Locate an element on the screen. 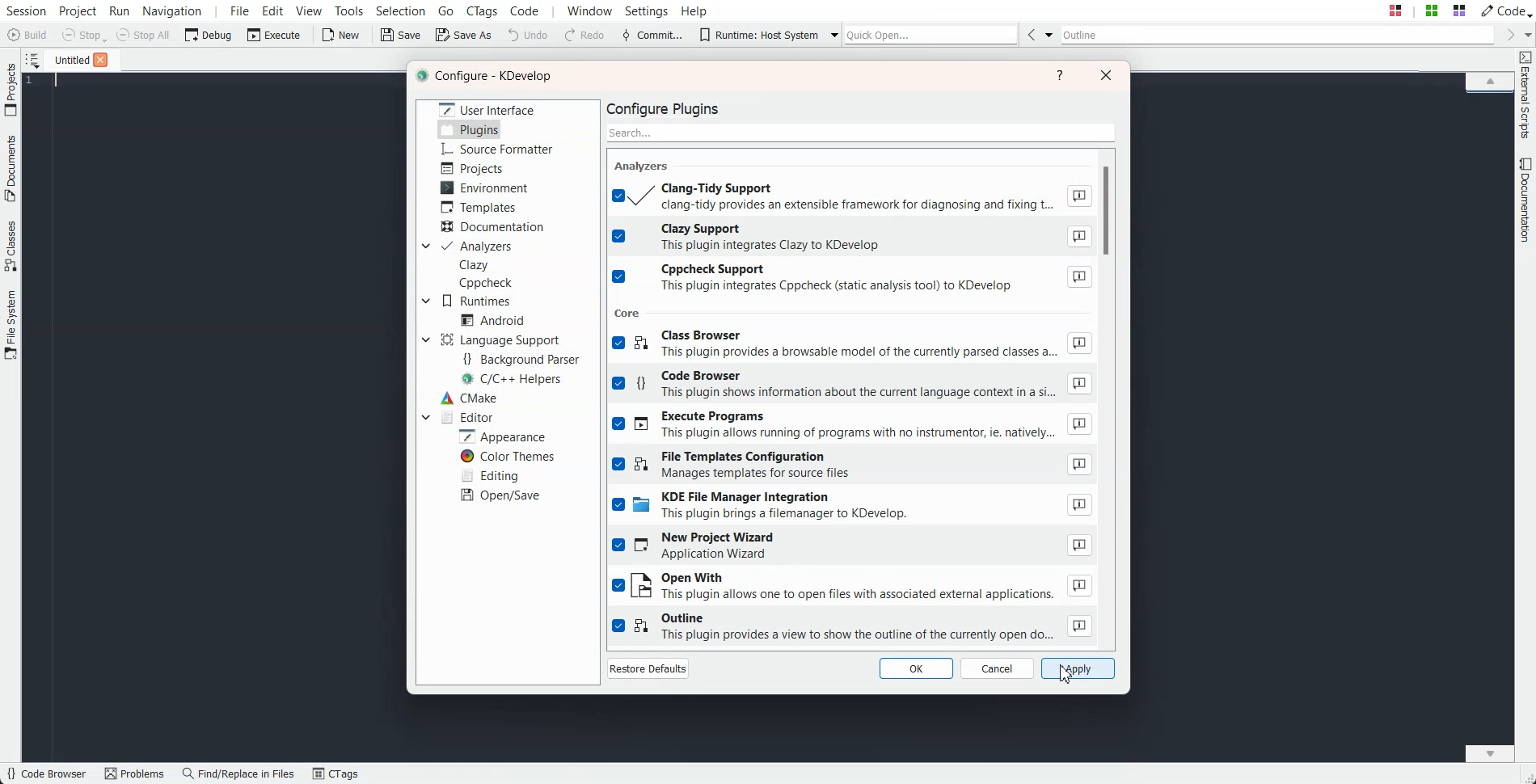 The image size is (1536, 784). Quick Open is located at coordinates (931, 34).